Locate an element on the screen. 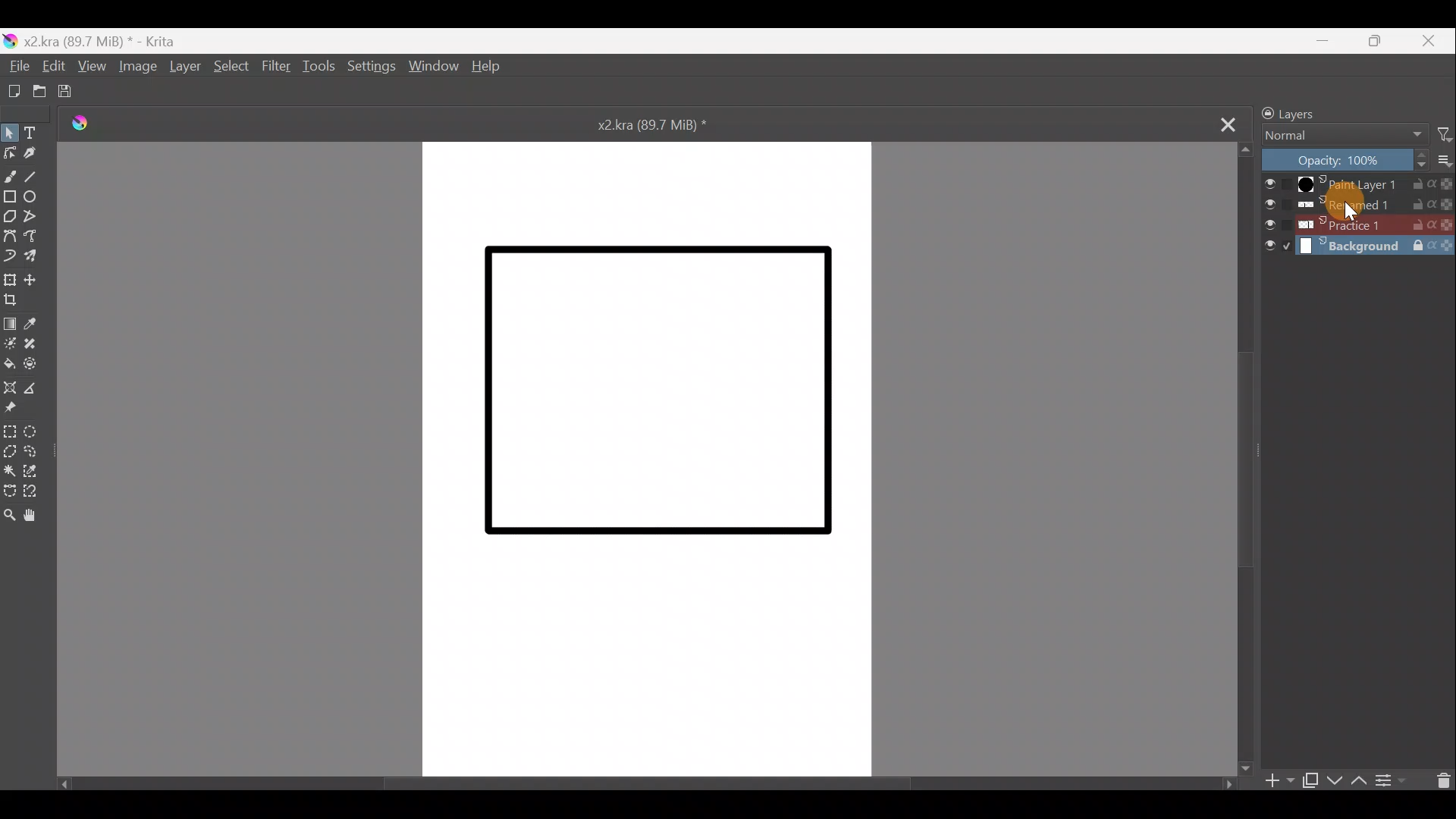  Filter is located at coordinates (274, 65).